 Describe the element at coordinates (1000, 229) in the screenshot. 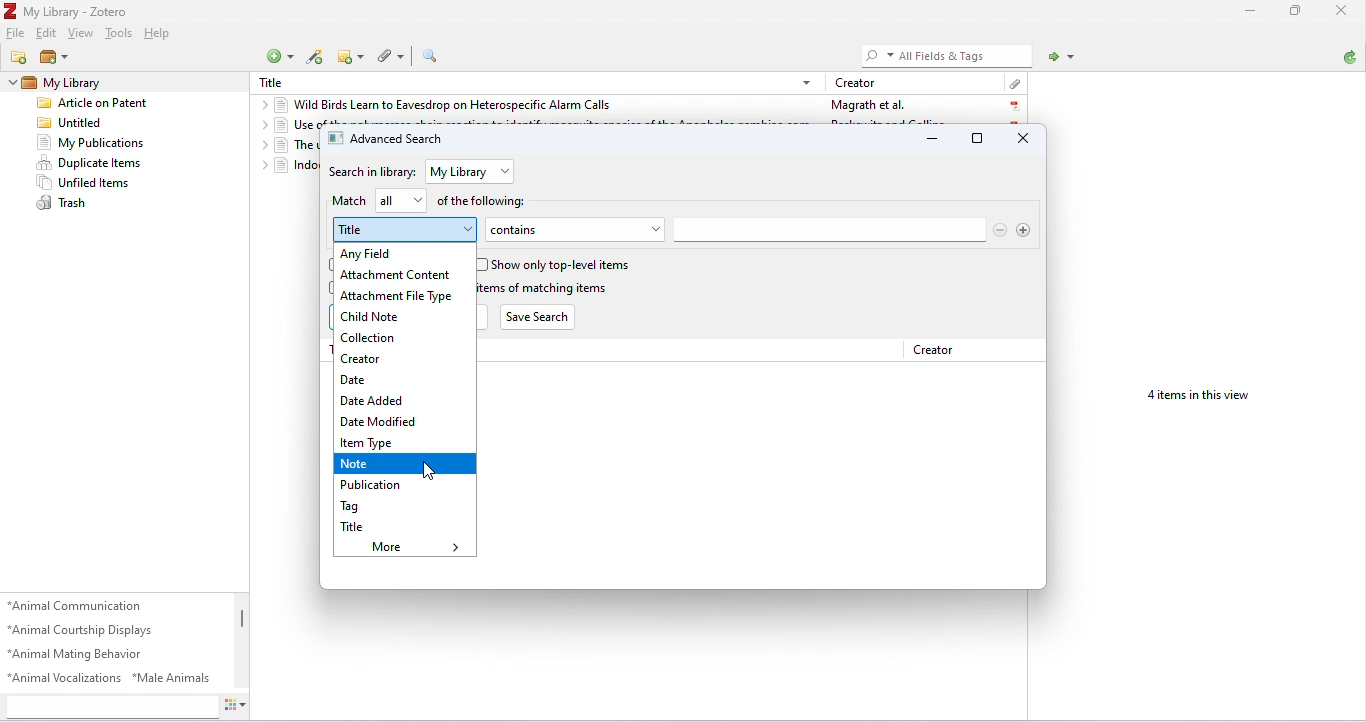

I see `remove search options` at that location.